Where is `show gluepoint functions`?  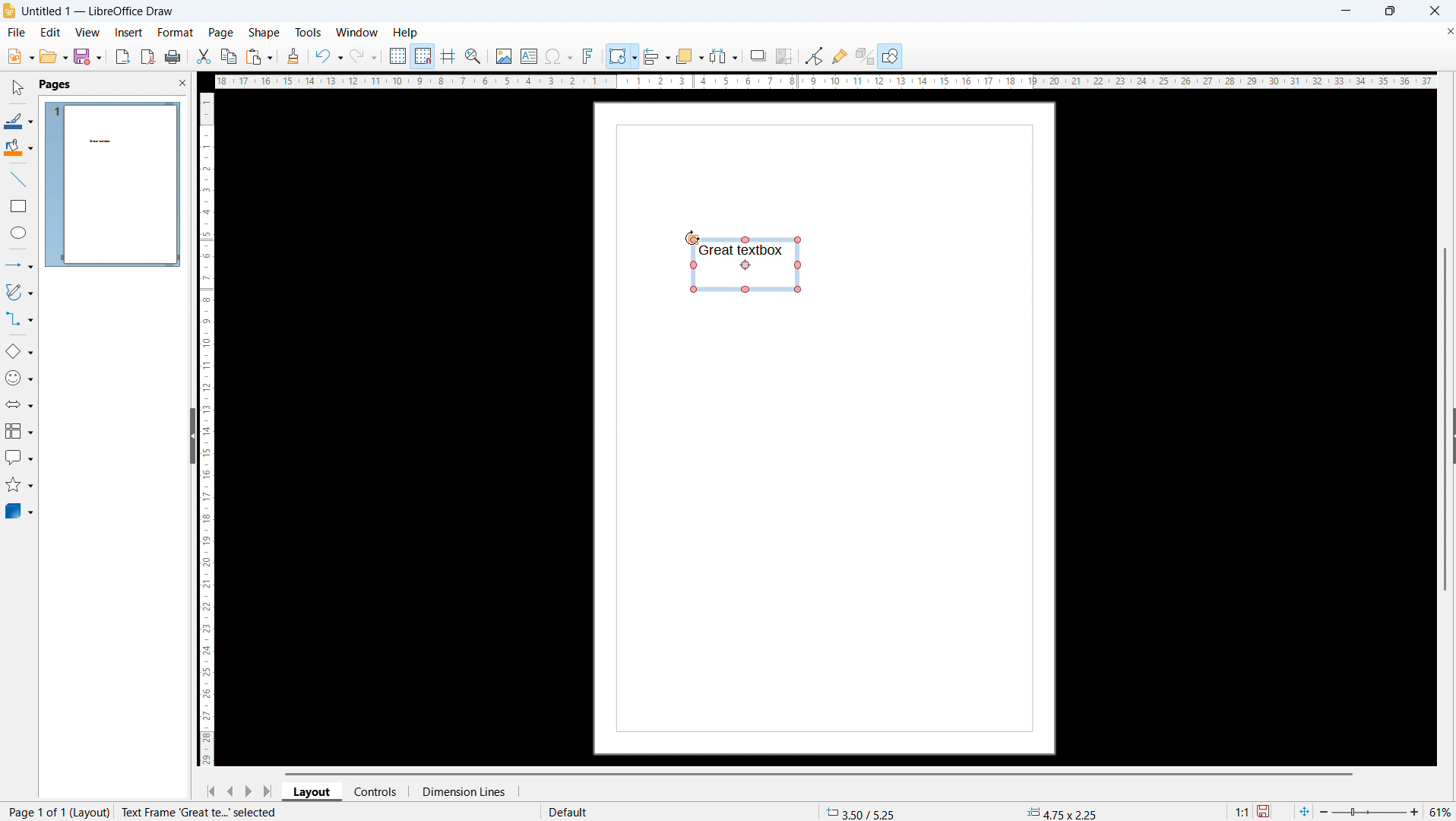
show gluepoint functions is located at coordinates (840, 55).